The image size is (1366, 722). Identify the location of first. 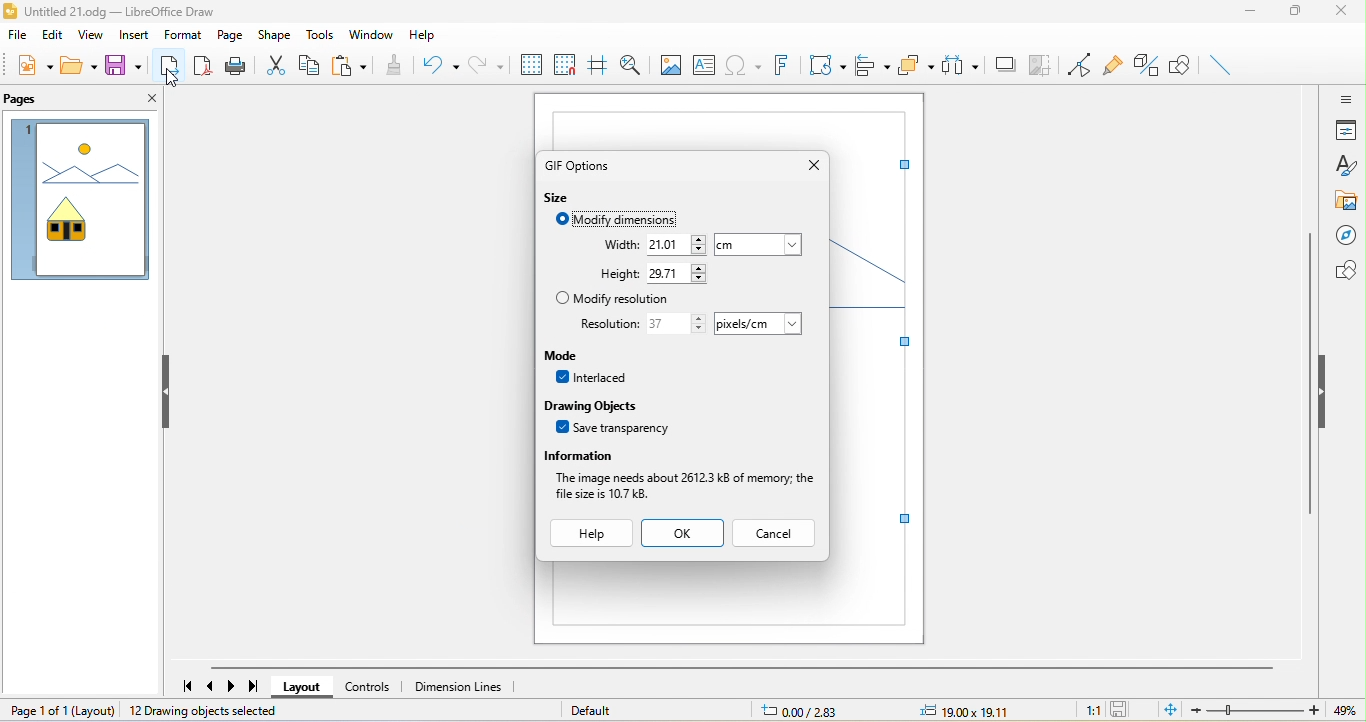
(182, 682).